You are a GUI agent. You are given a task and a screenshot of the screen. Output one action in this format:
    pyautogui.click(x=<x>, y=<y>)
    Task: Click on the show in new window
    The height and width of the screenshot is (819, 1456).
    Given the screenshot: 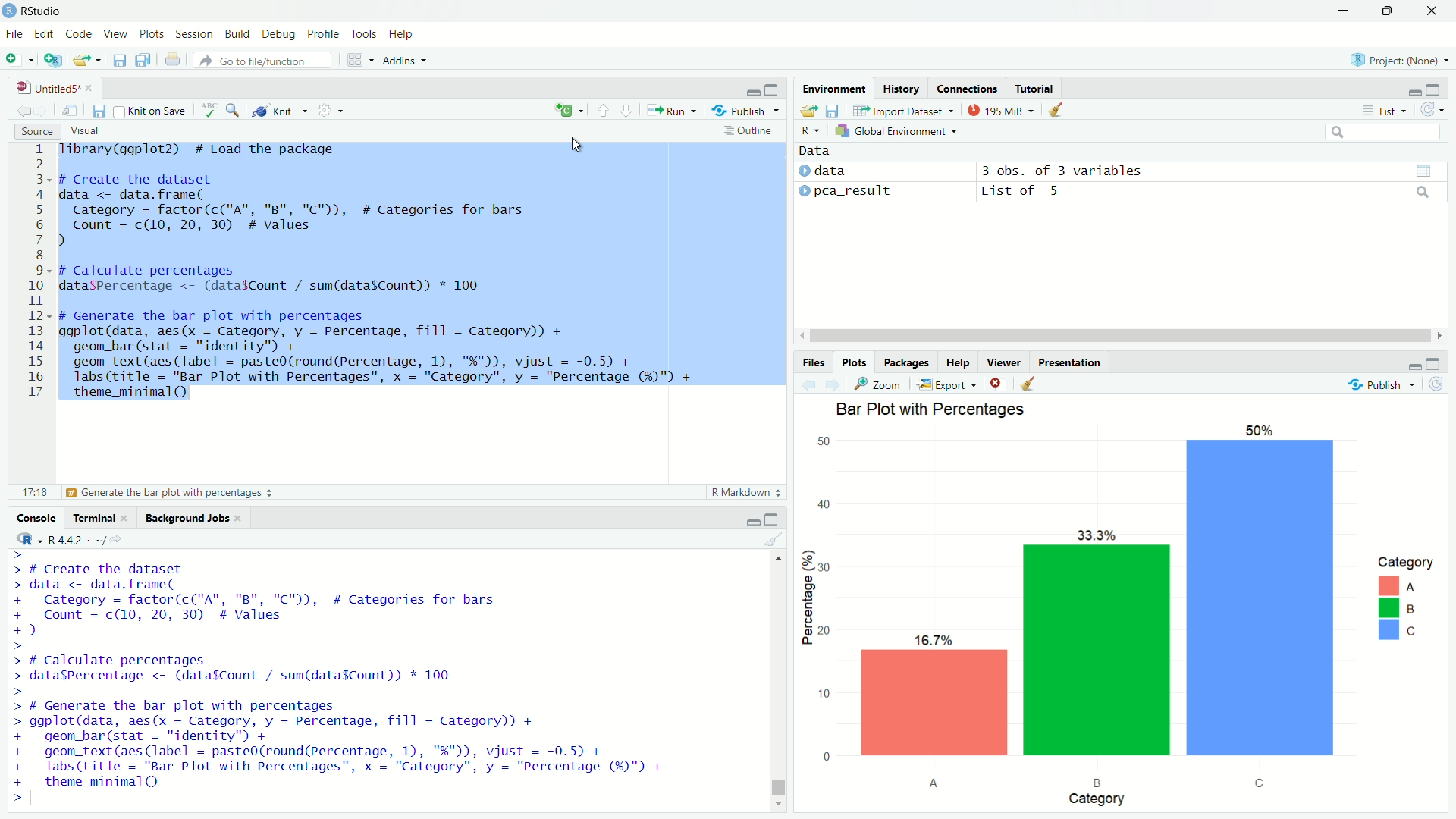 What is the action you would take?
    pyautogui.click(x=71, y=111)
    